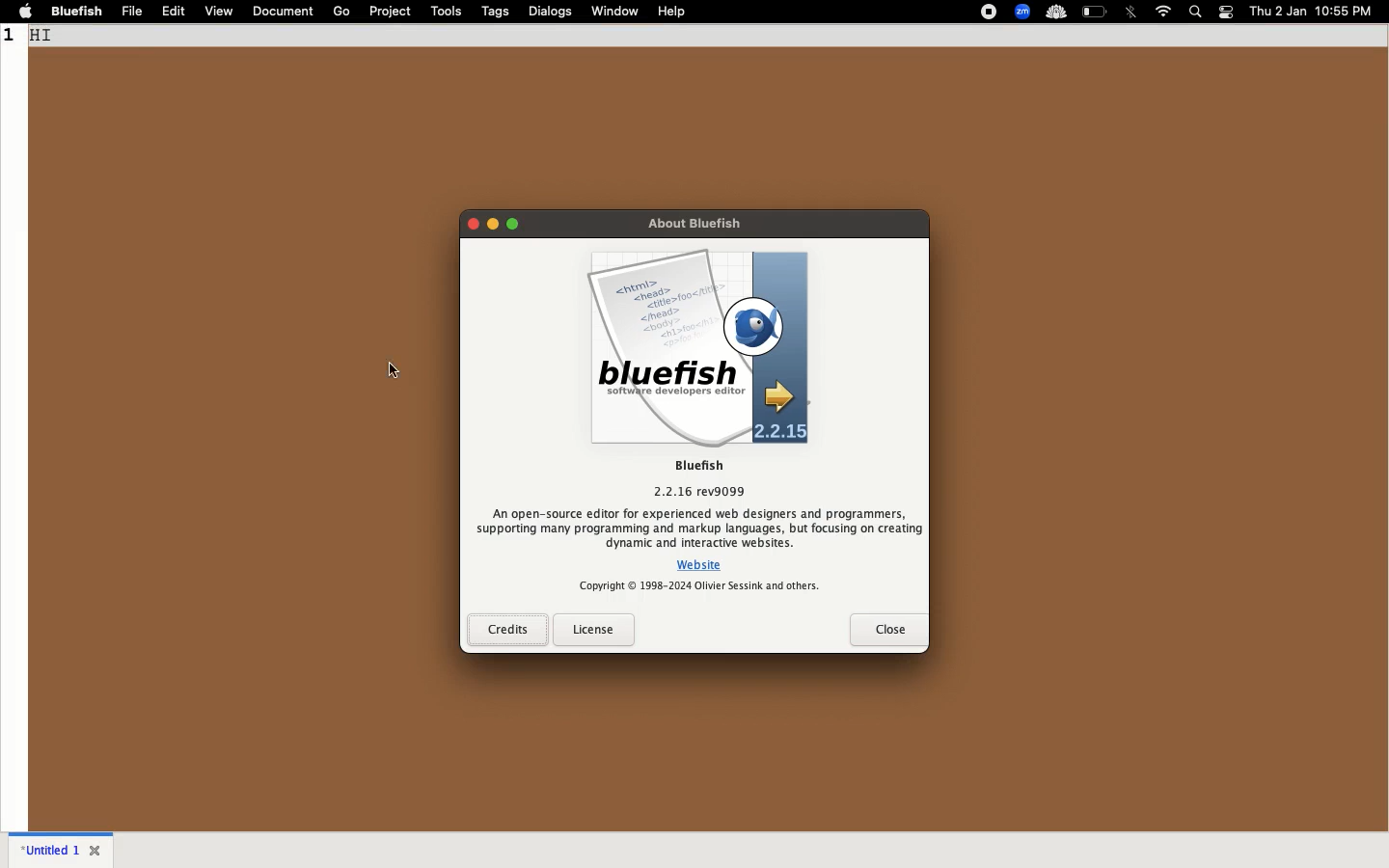 Image resolution: width=1389 pixels, height=868 pixels. Describe the element at coordinates (672, 11) in the screenshot. I see `help` at that location.